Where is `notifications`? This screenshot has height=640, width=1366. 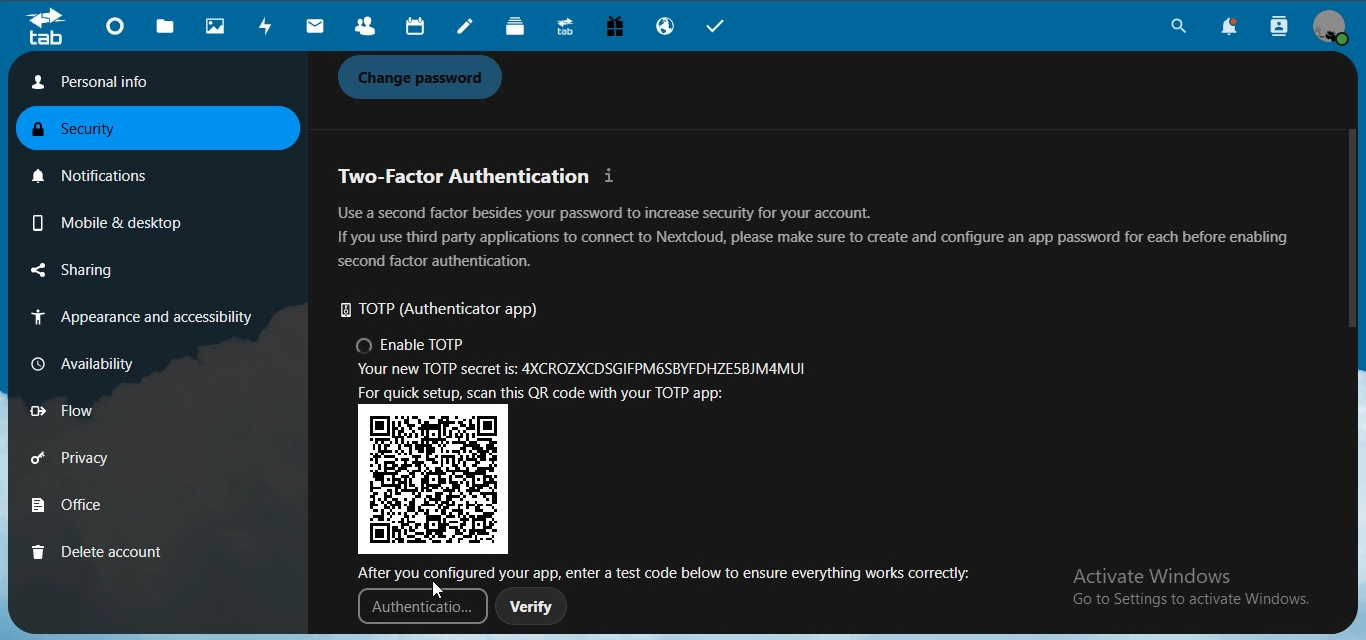
notifications is located at coordinates (101, 172).